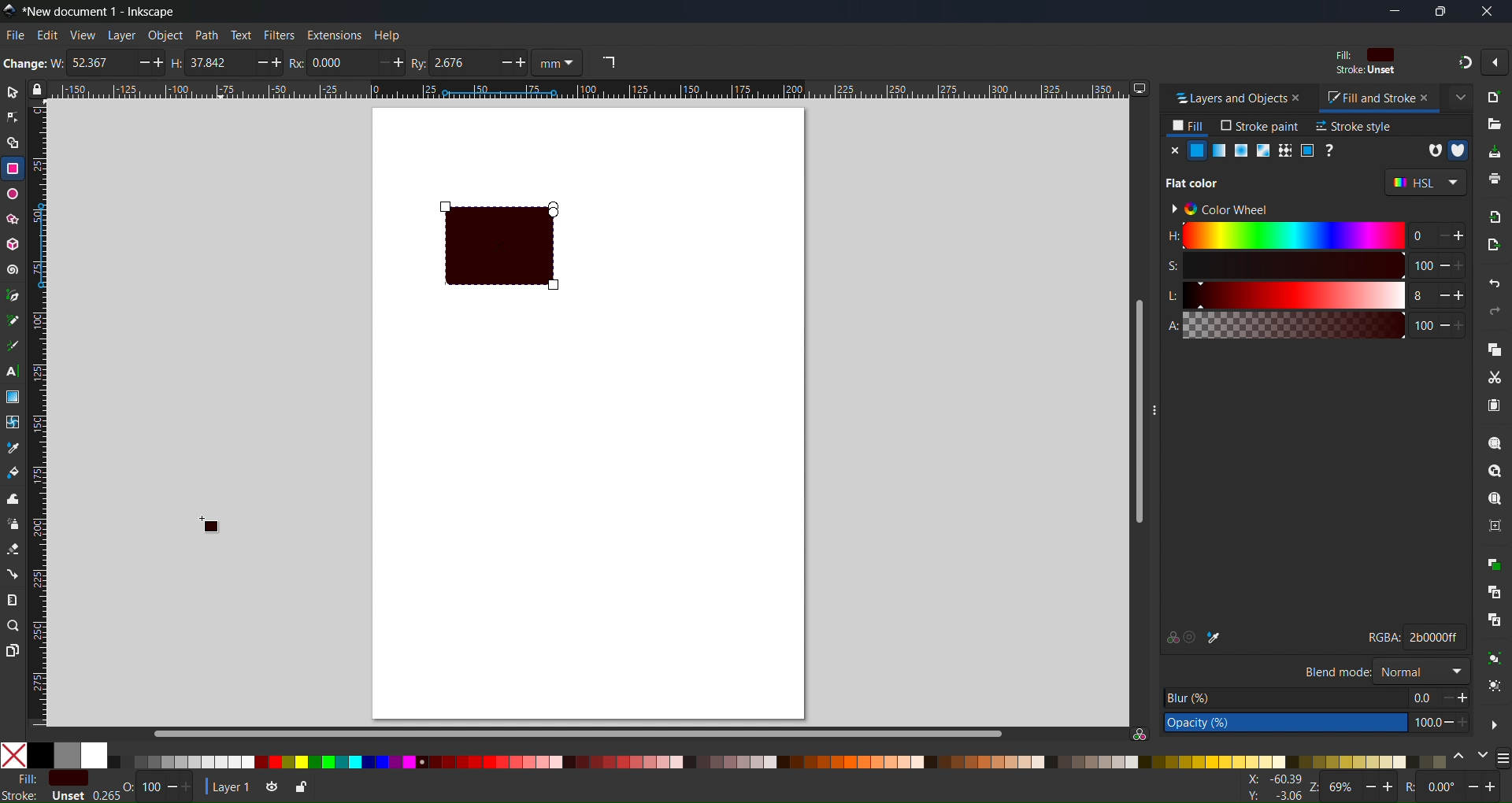 Image resolution: width=1512 pixels, height=803 pixels. Describe the element at coordinates (400, 62) in the screenshot. I see `Maximize the radius` at that location.